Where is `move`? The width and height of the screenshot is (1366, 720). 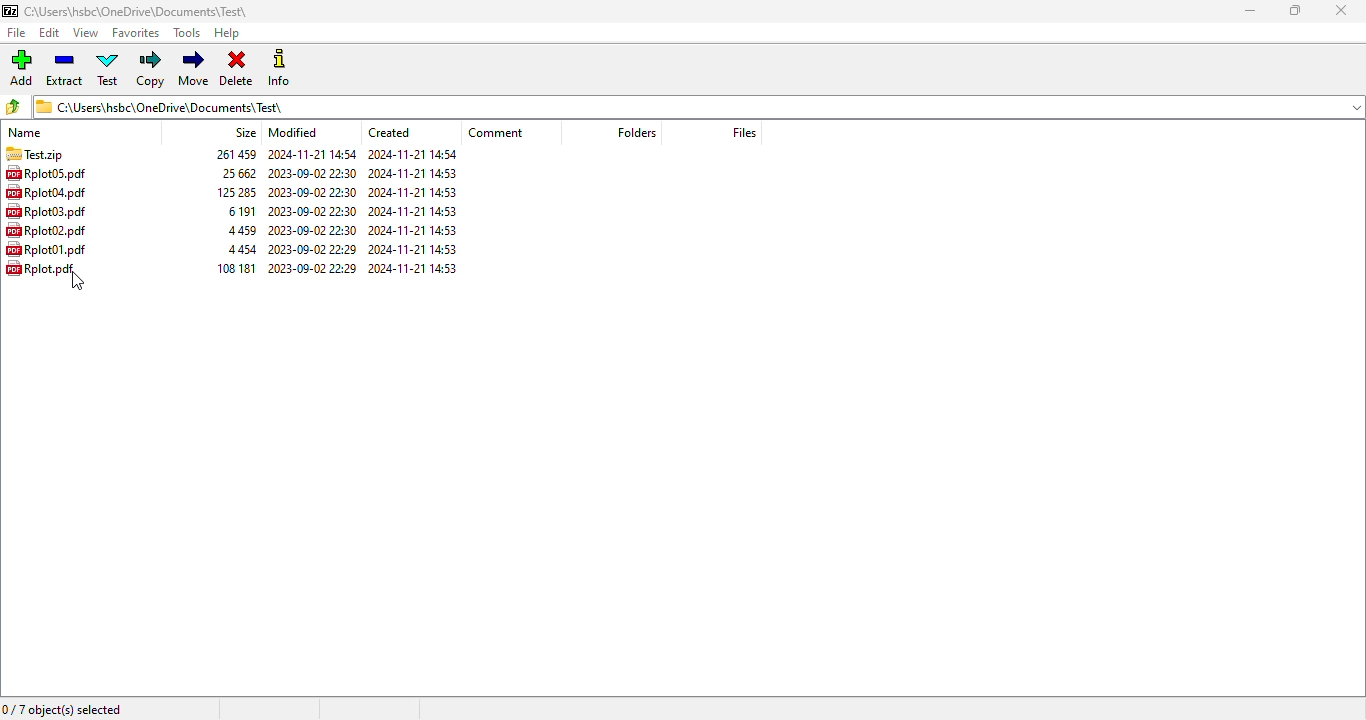 move is located at coordinates (194, 67).